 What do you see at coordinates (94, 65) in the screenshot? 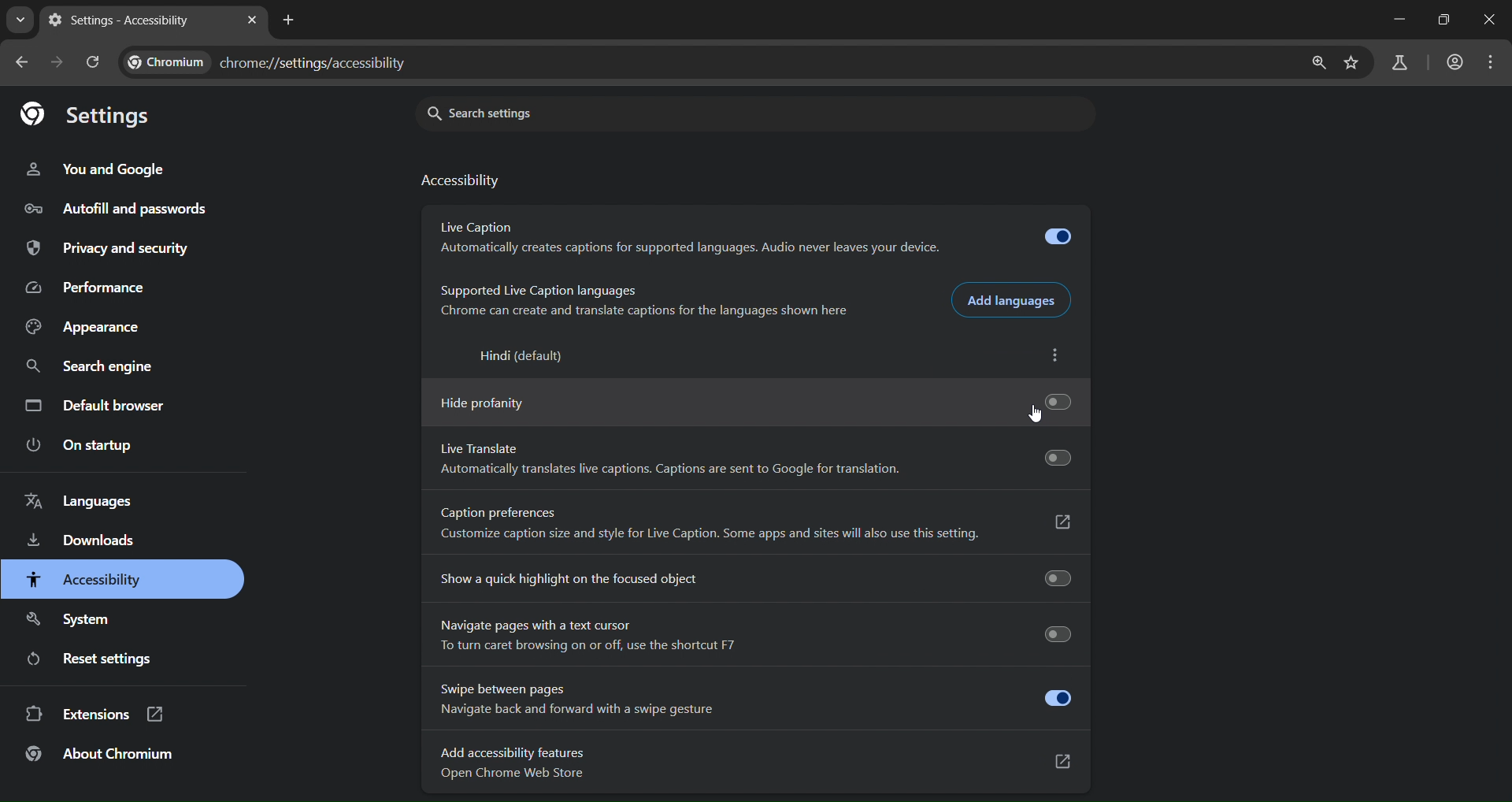
I see `reload pages` at bounding box center [94, 65].